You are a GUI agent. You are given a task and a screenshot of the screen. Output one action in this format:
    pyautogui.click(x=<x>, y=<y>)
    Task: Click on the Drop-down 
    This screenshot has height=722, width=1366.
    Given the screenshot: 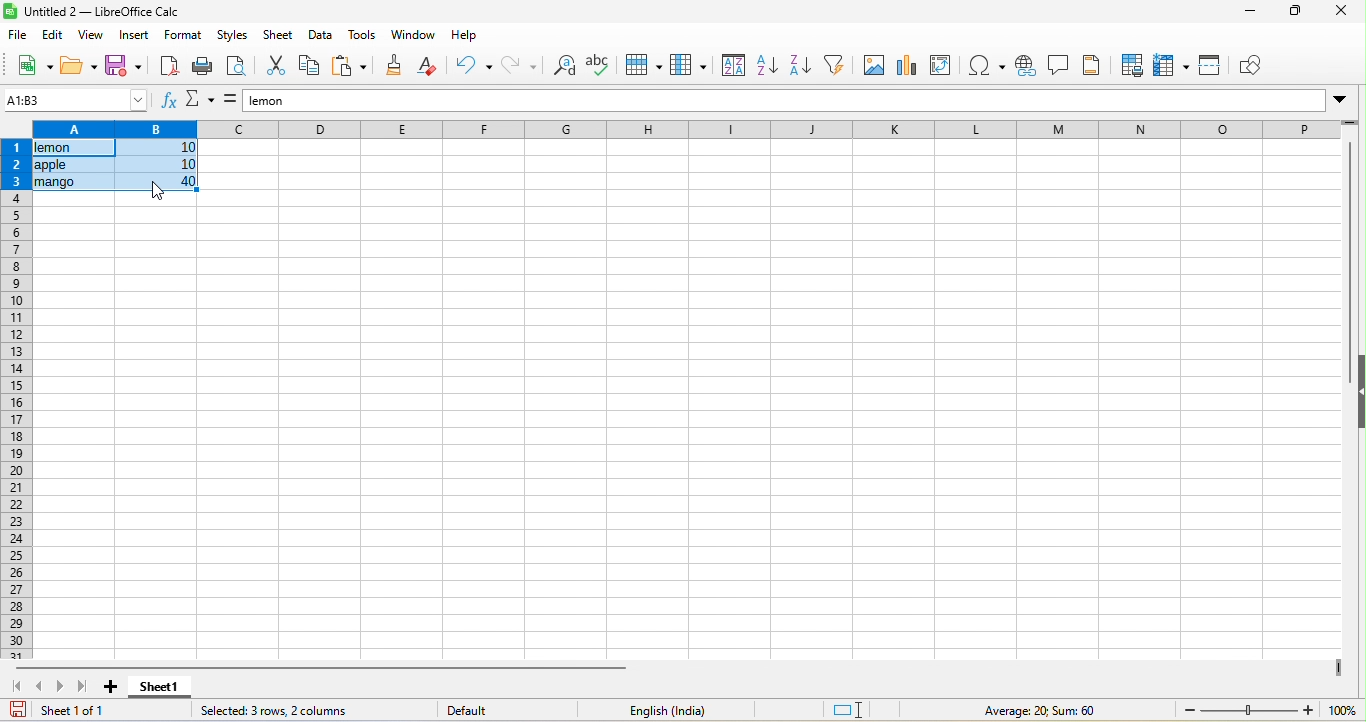 What is the action you would take?
    pyautogui.click(x=1342, y=99)
    